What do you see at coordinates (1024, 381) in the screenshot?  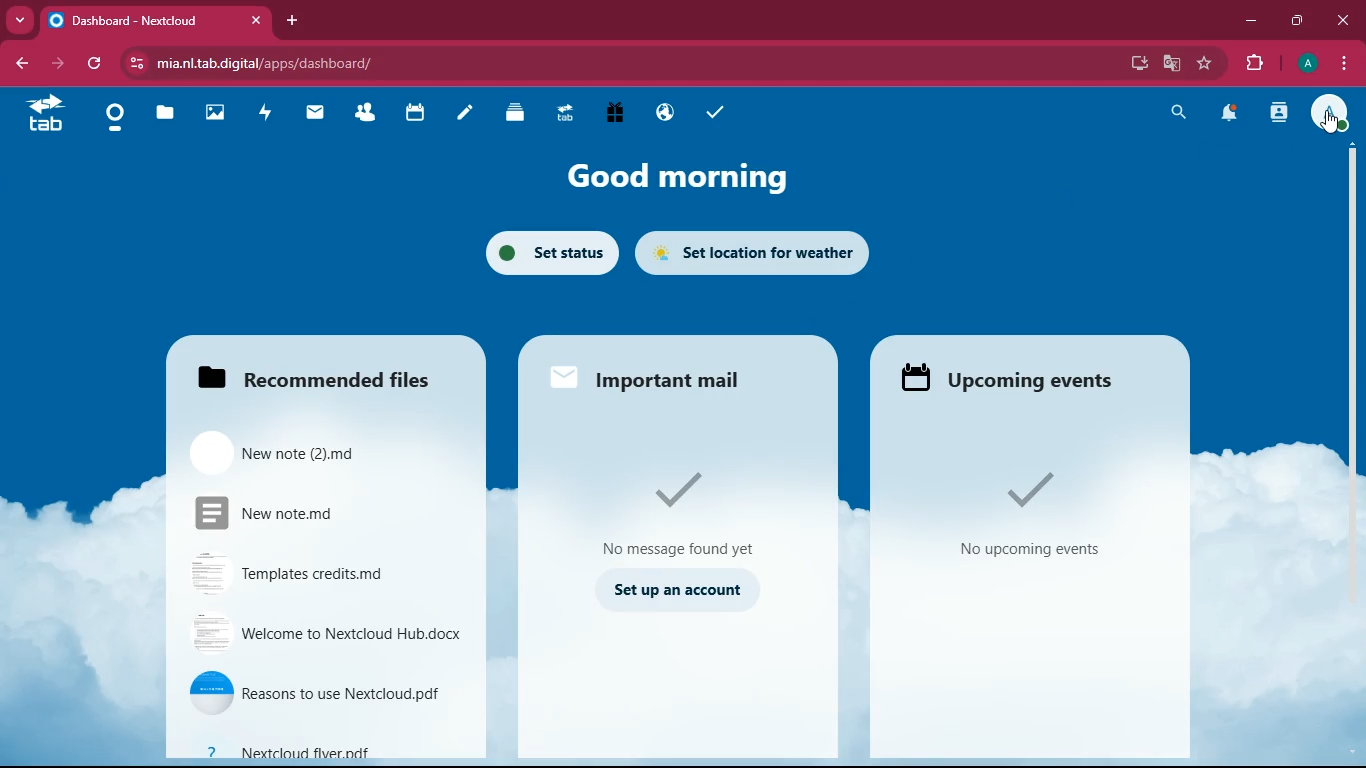 I see `events` at bounding box center [1024, 381].